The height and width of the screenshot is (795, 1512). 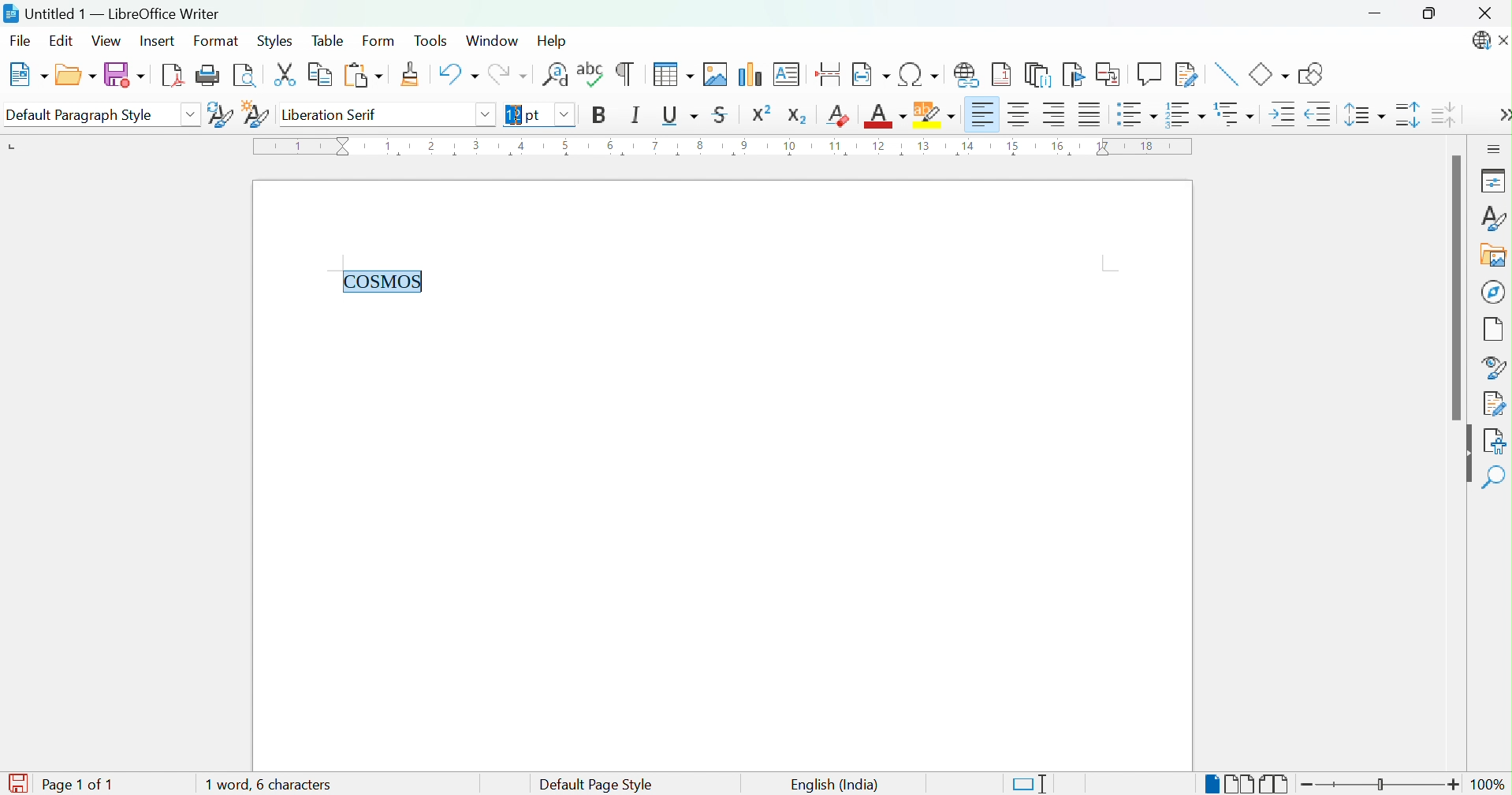 What do you see at coordinates (560, 114) in the screenshot?
I see `Drop down` at bounding box center [560, 114].